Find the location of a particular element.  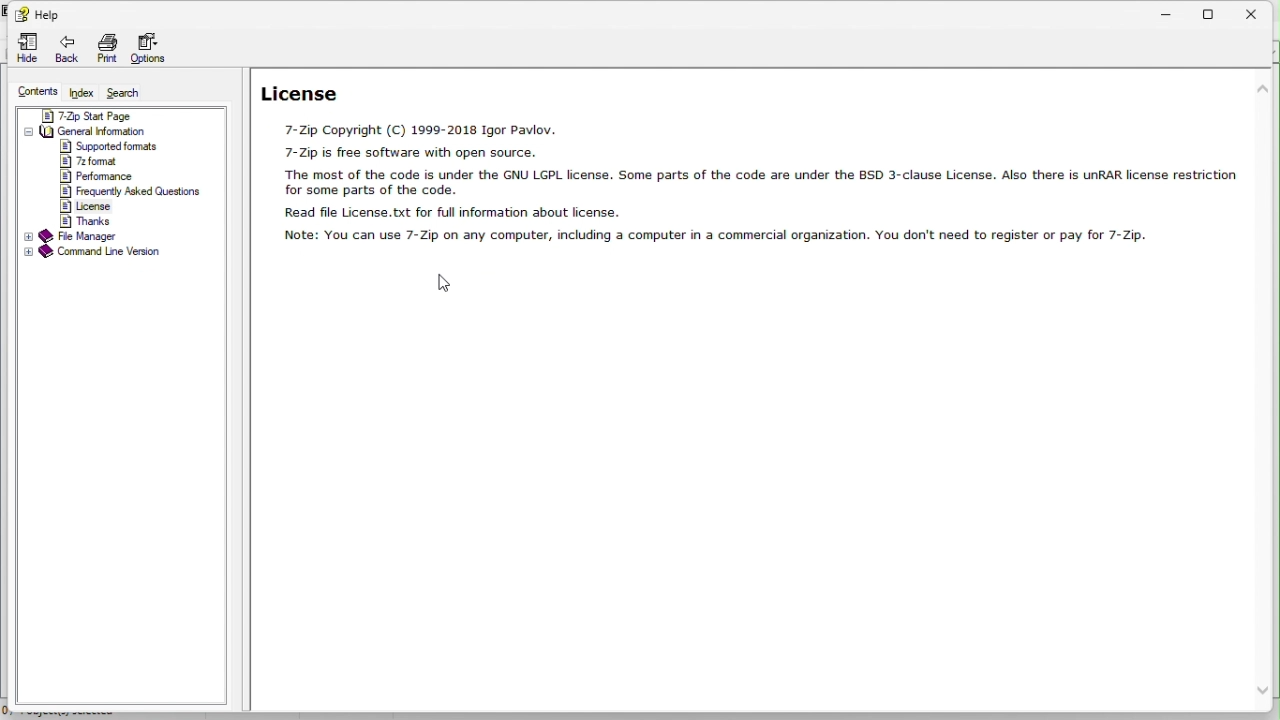

supported formats is located at coordinates (111, 146).